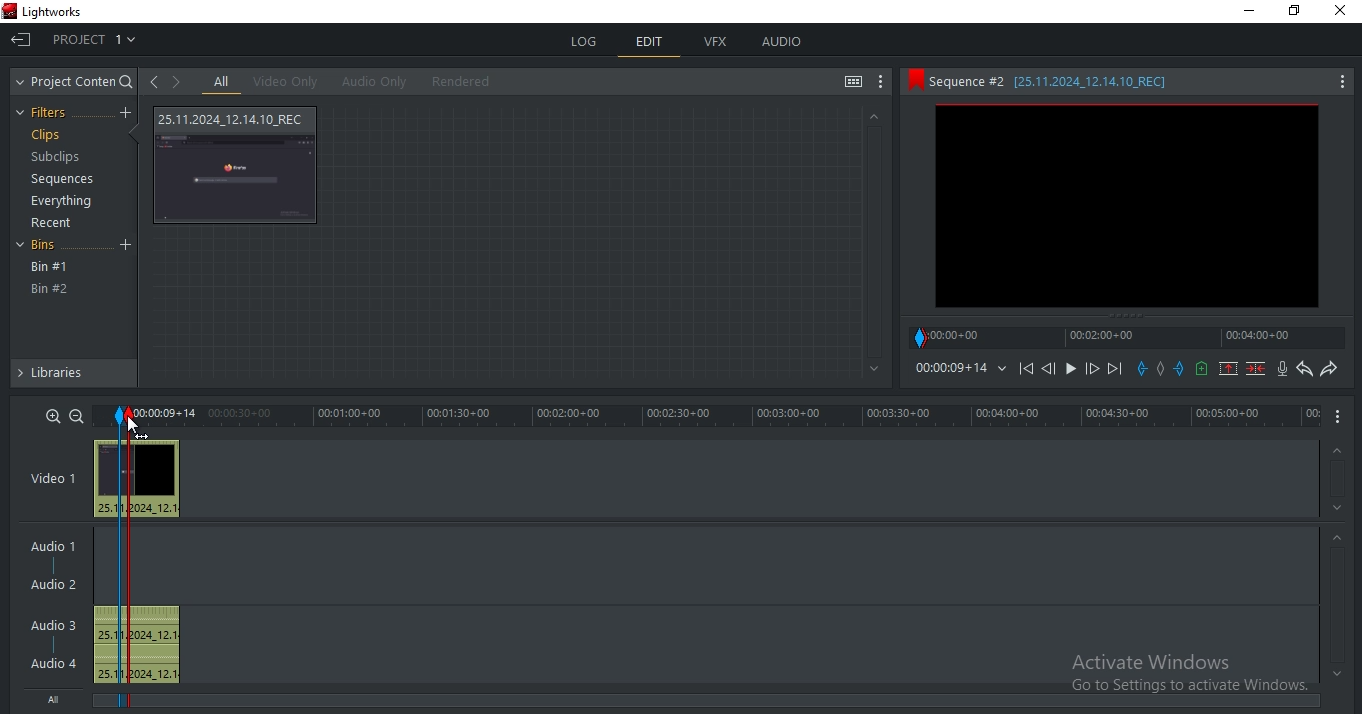  Describe the element at coordinates (1229, 368) in the screenshot. I see `remove marked section` at that location.